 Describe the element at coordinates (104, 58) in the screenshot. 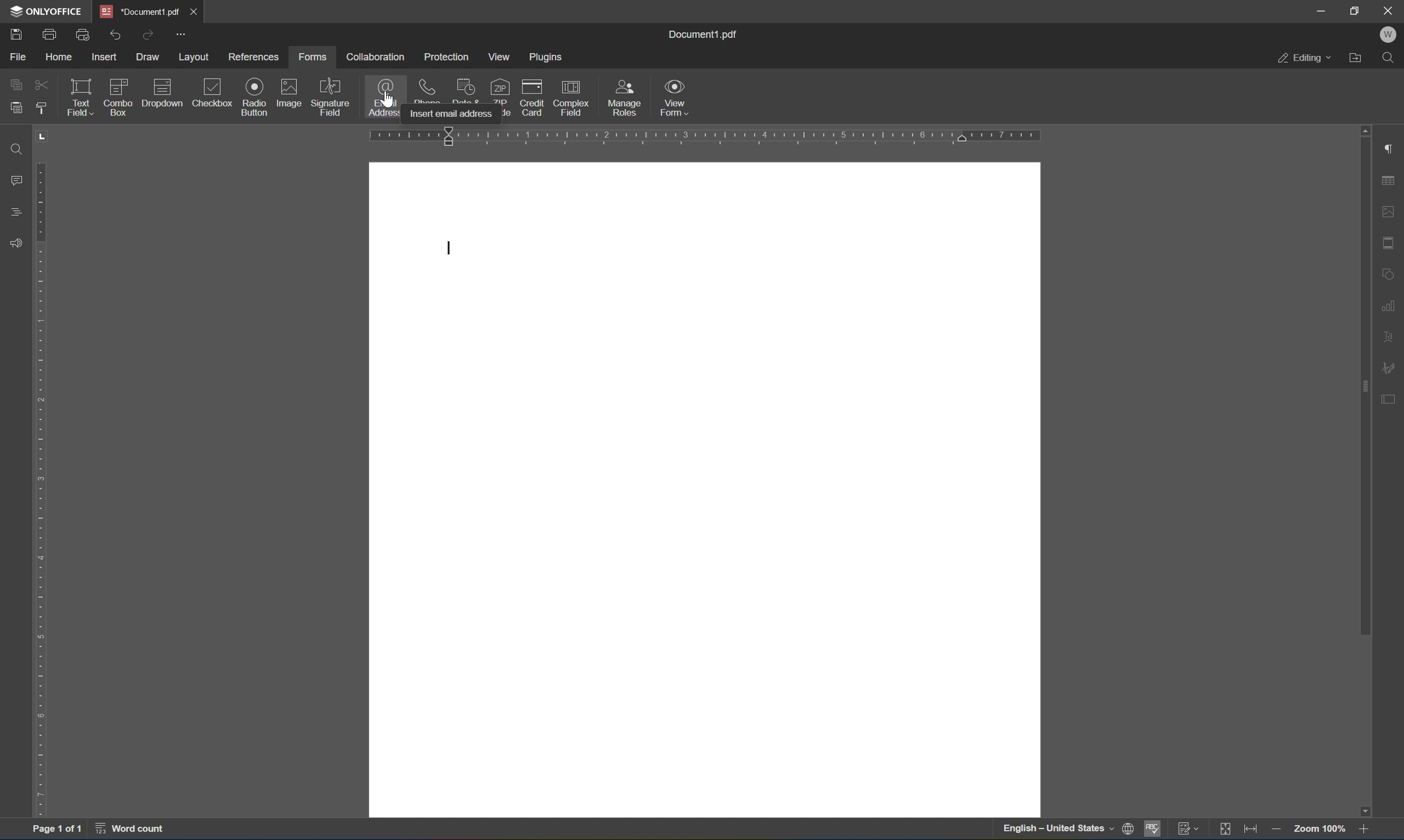

I see `insert` at that location.